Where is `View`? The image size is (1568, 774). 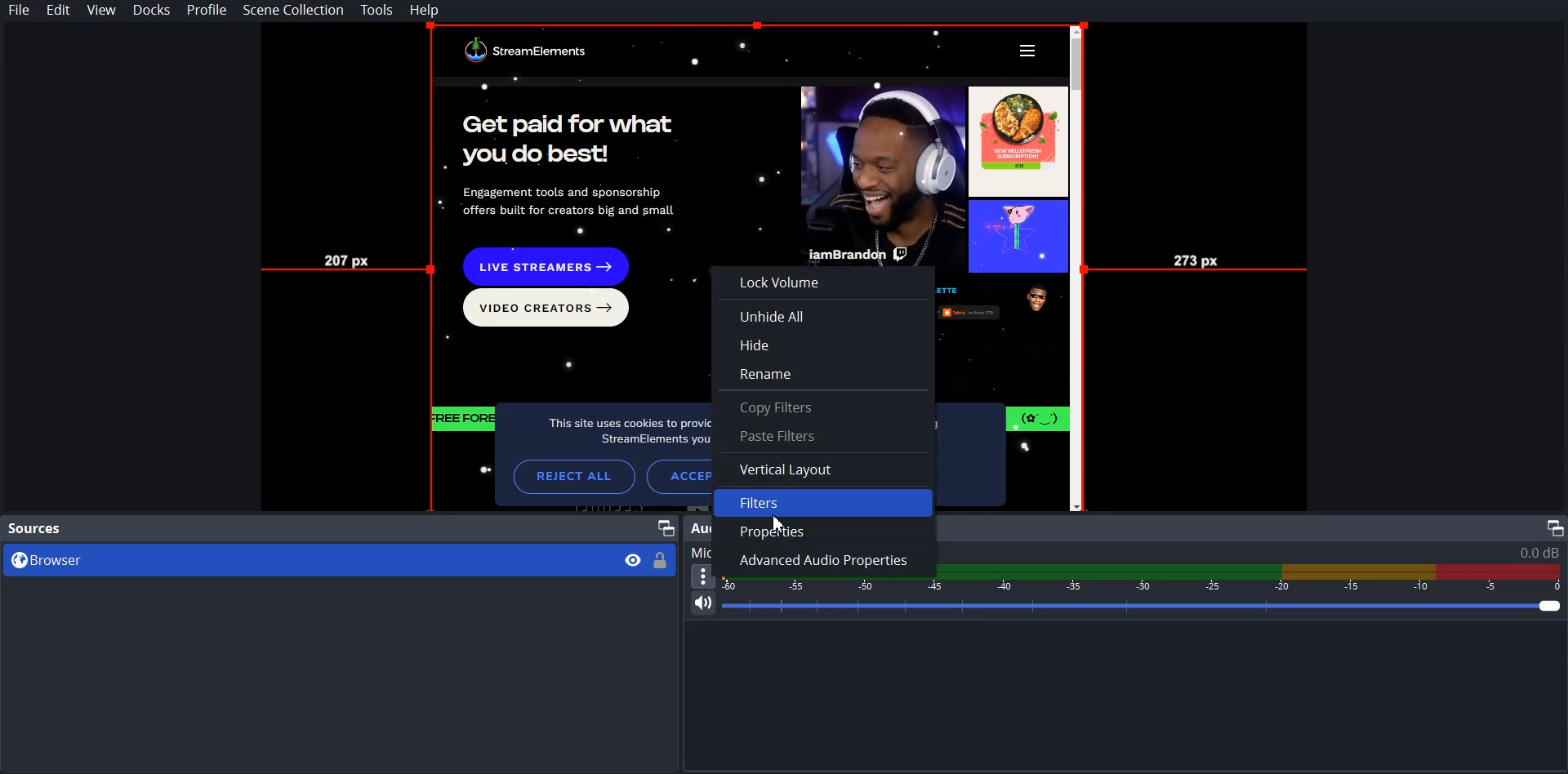 View is located at coordinates (101, 11).